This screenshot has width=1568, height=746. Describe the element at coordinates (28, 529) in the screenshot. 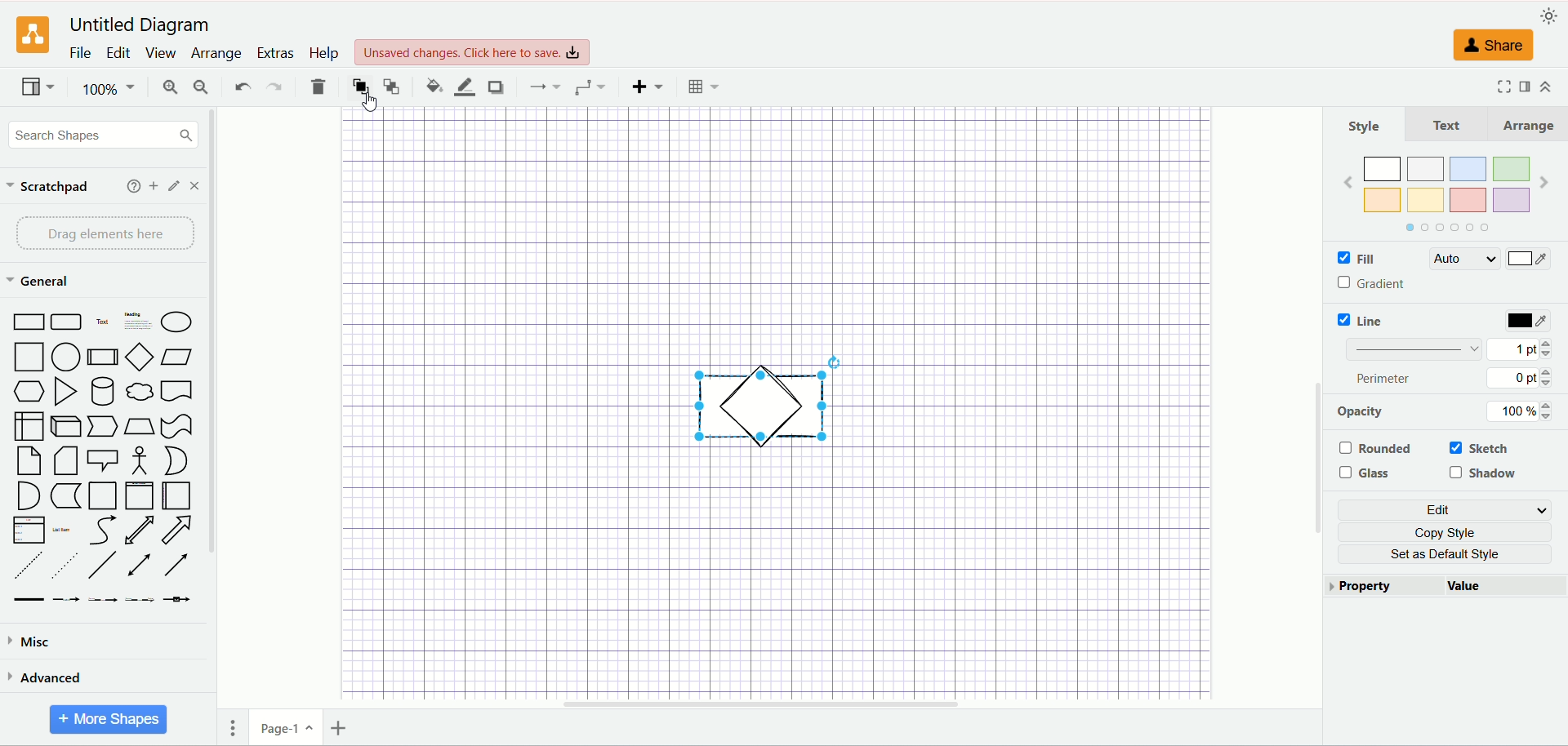

I see `list` at that location.